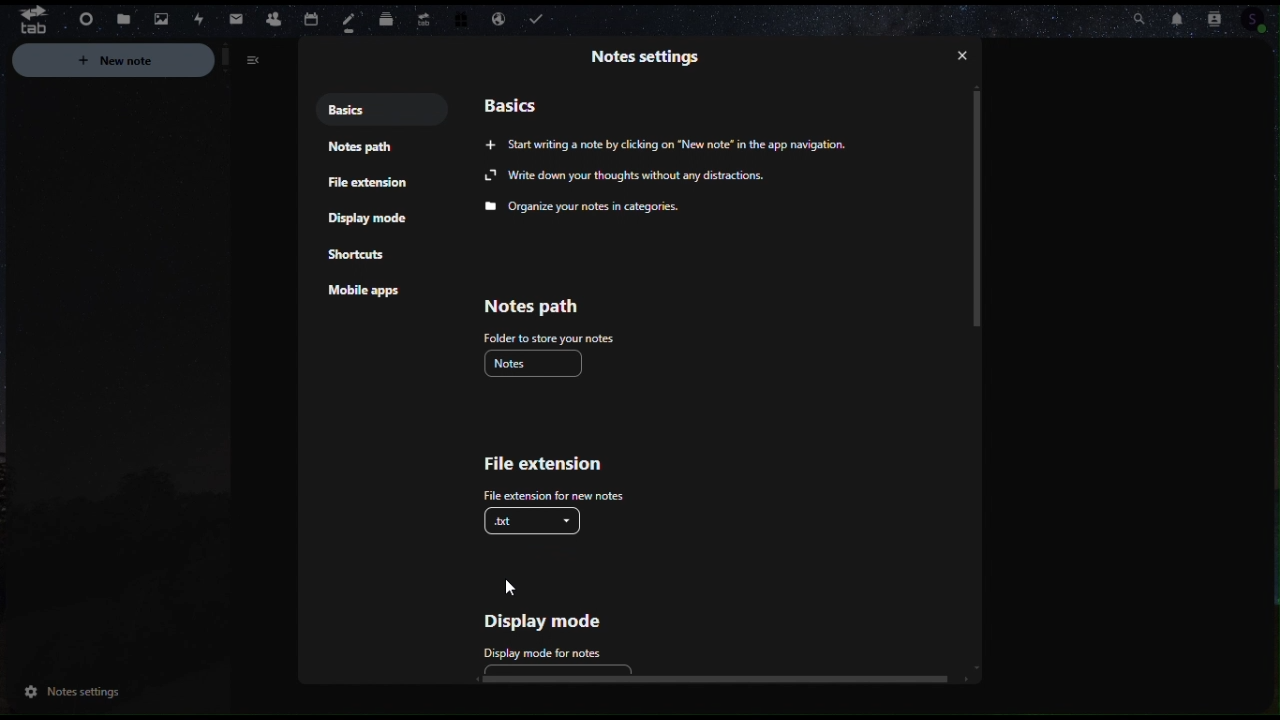  Describe the element at coordinates (627, 176) in the screenshot. I see `write down your thoughts` at that location.